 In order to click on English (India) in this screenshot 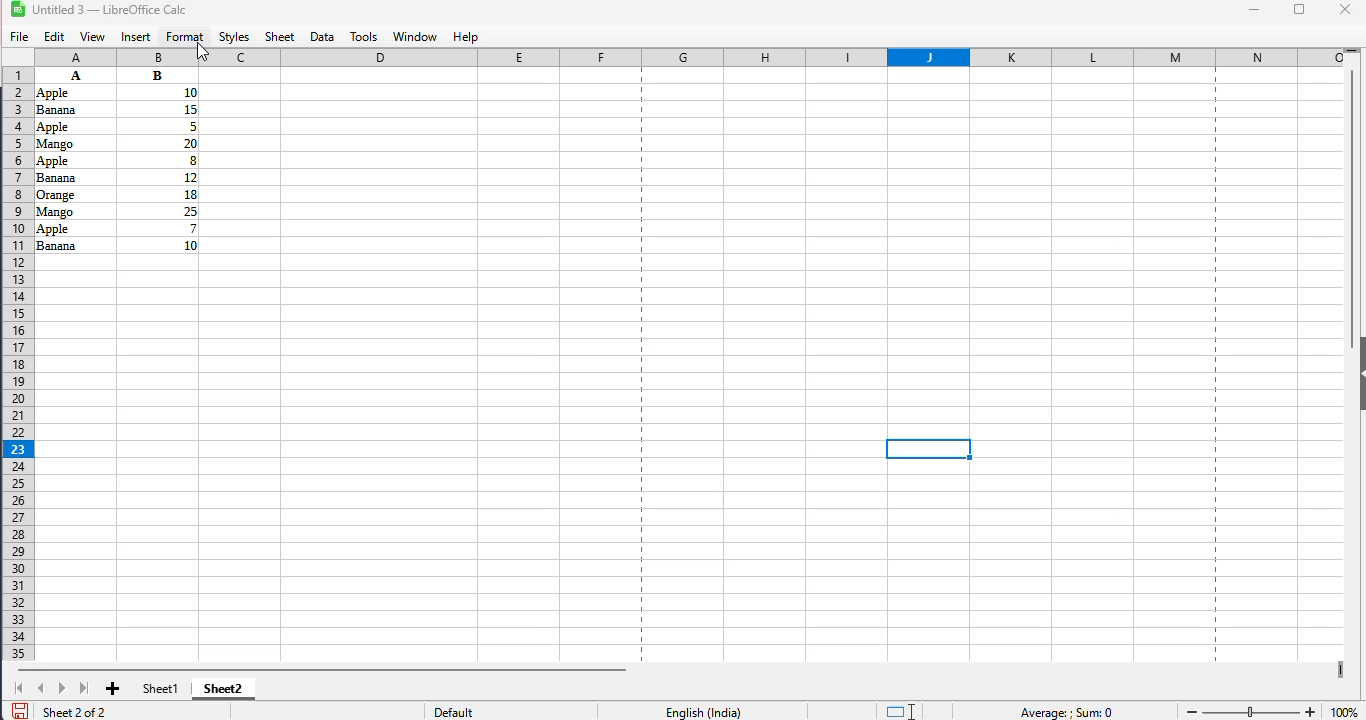, I will do `click(703, 711)`.